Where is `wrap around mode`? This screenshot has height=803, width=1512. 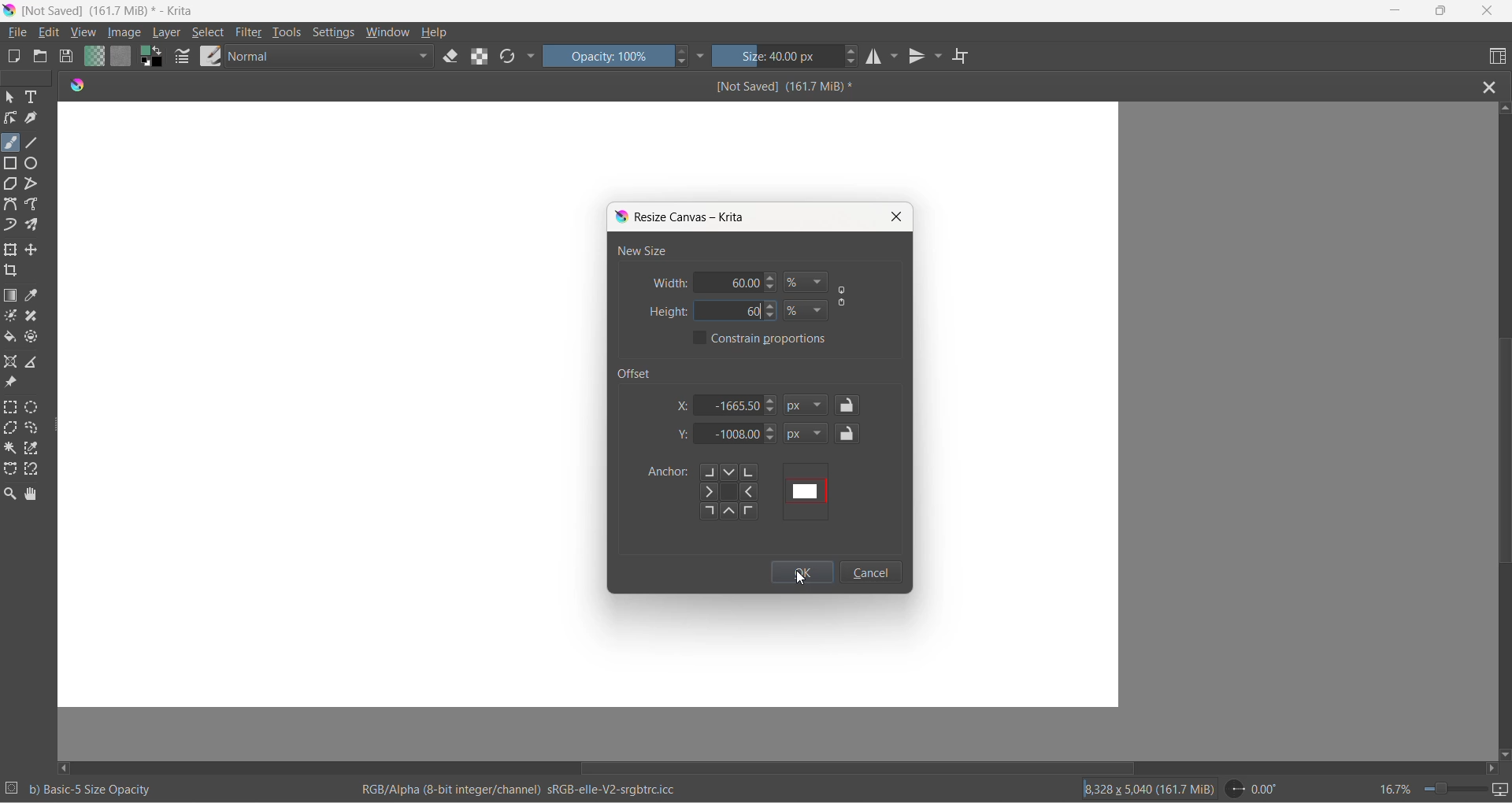
wrap around mode is located at coordinates (967, 57).